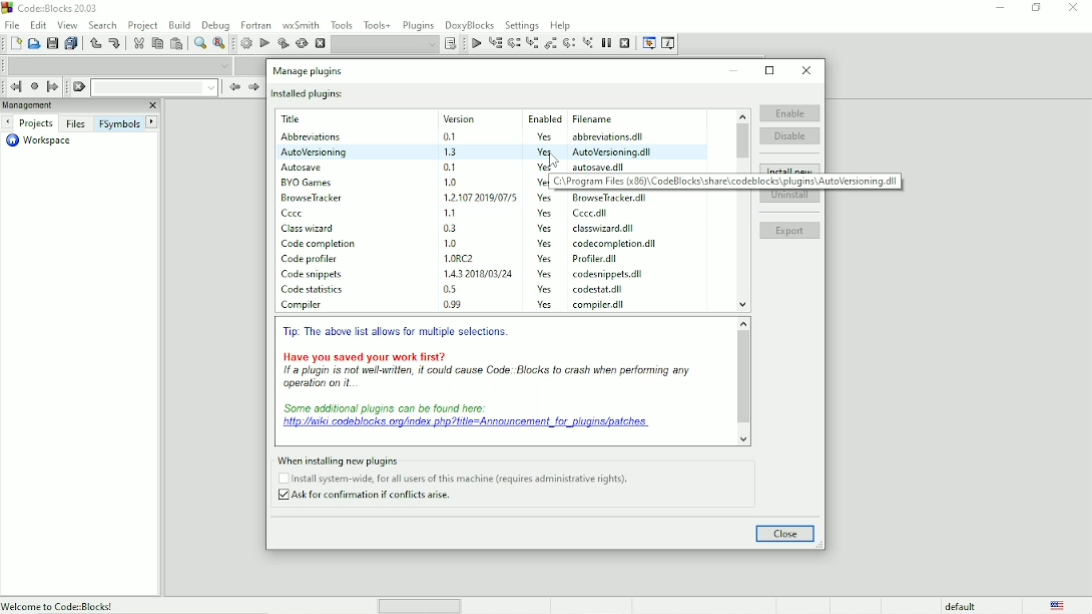 This screenshot has height=614, width=1092. What do you see at coordinates (418, 23) in the screenshot?
I see `Plugins` at bounding box center [418, 23].